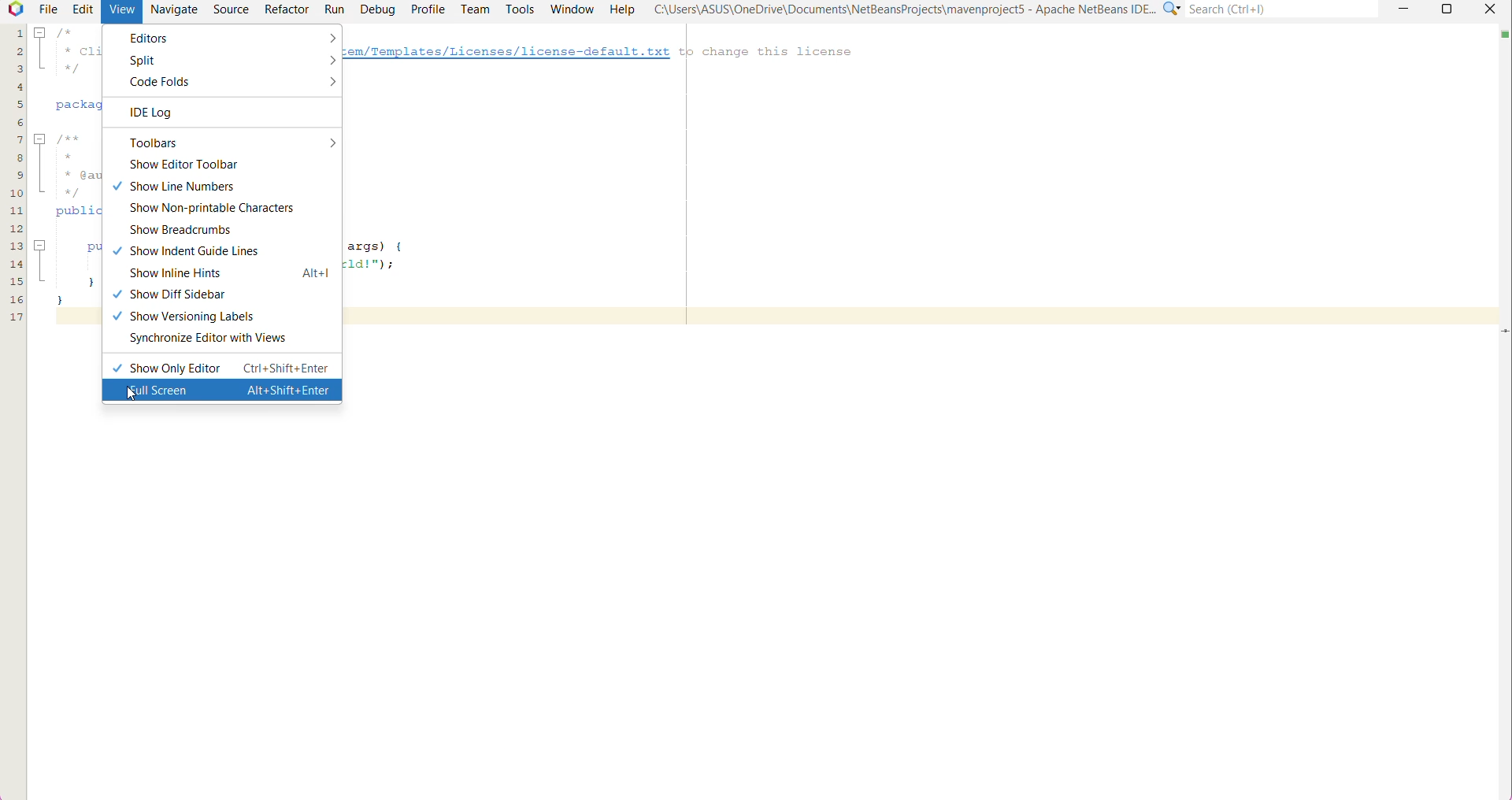  Describe the element at coordinates (1284, 9) in the screenshot. I see `Search(Ctrl+e)` at that location.